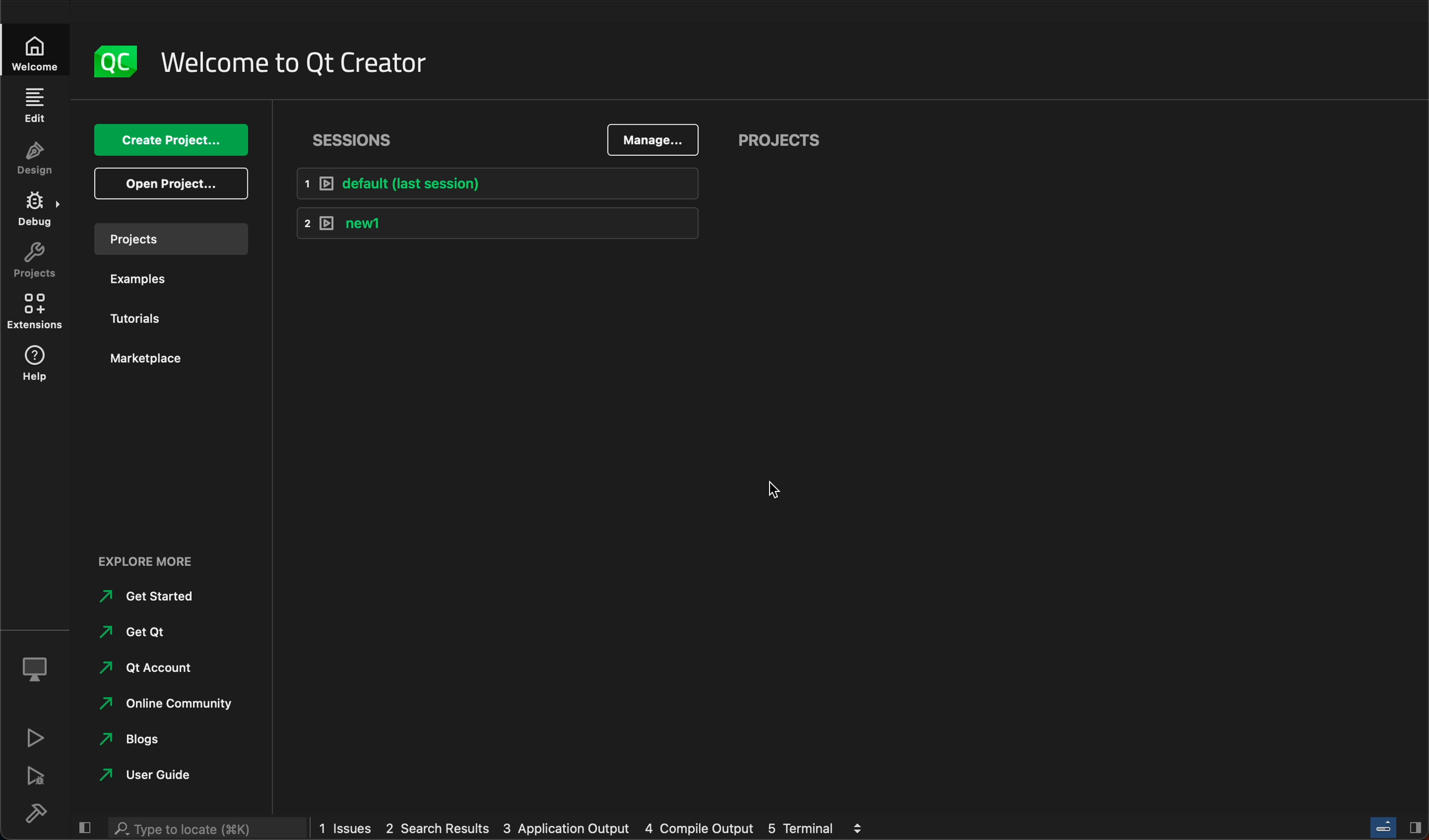 The image size is (1429, 840). Describe the element at coordinates (776, 490) in the screenshot. I see `cursor` at that location.